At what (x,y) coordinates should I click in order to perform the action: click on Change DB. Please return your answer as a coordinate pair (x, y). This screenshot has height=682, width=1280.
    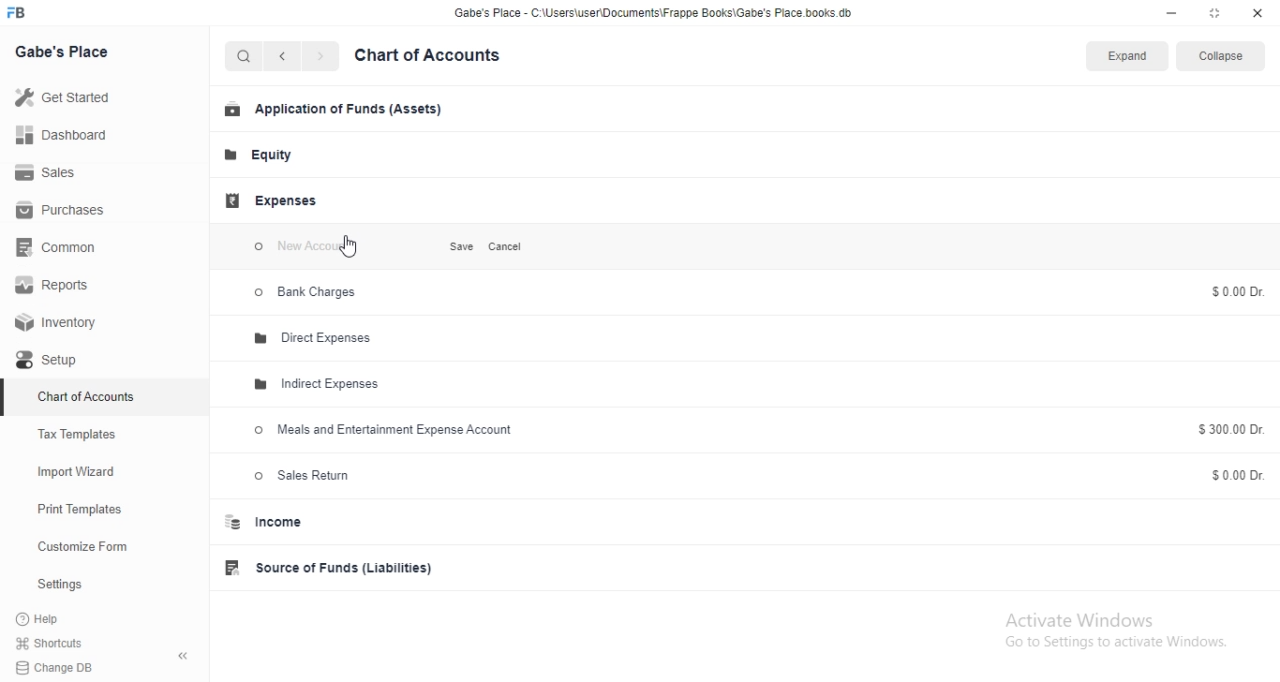
    Looking at the image, I should click on (100, 667).